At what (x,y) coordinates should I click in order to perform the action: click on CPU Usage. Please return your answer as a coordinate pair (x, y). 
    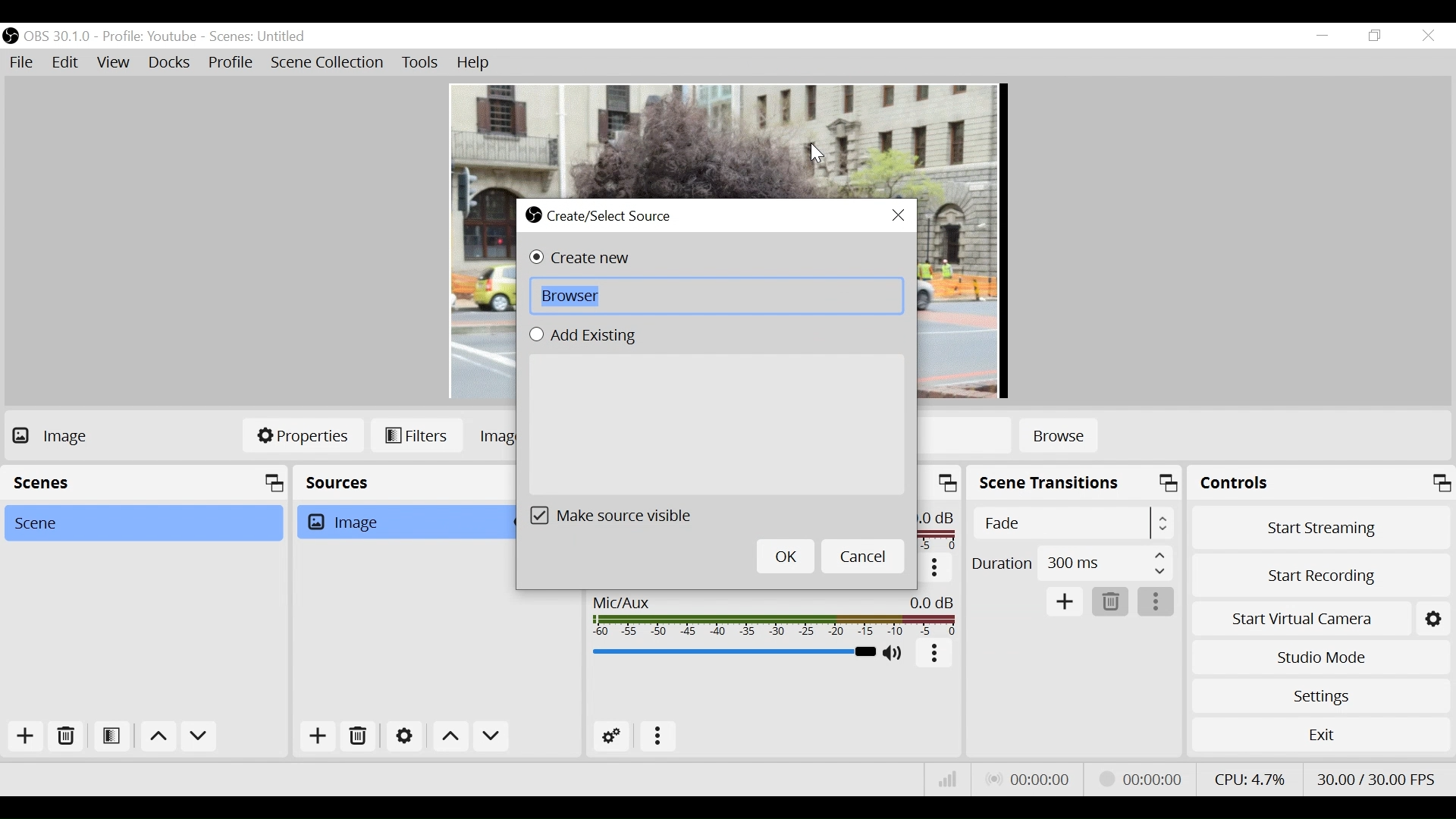
    Looking at the image, I should click on (1254, 779).